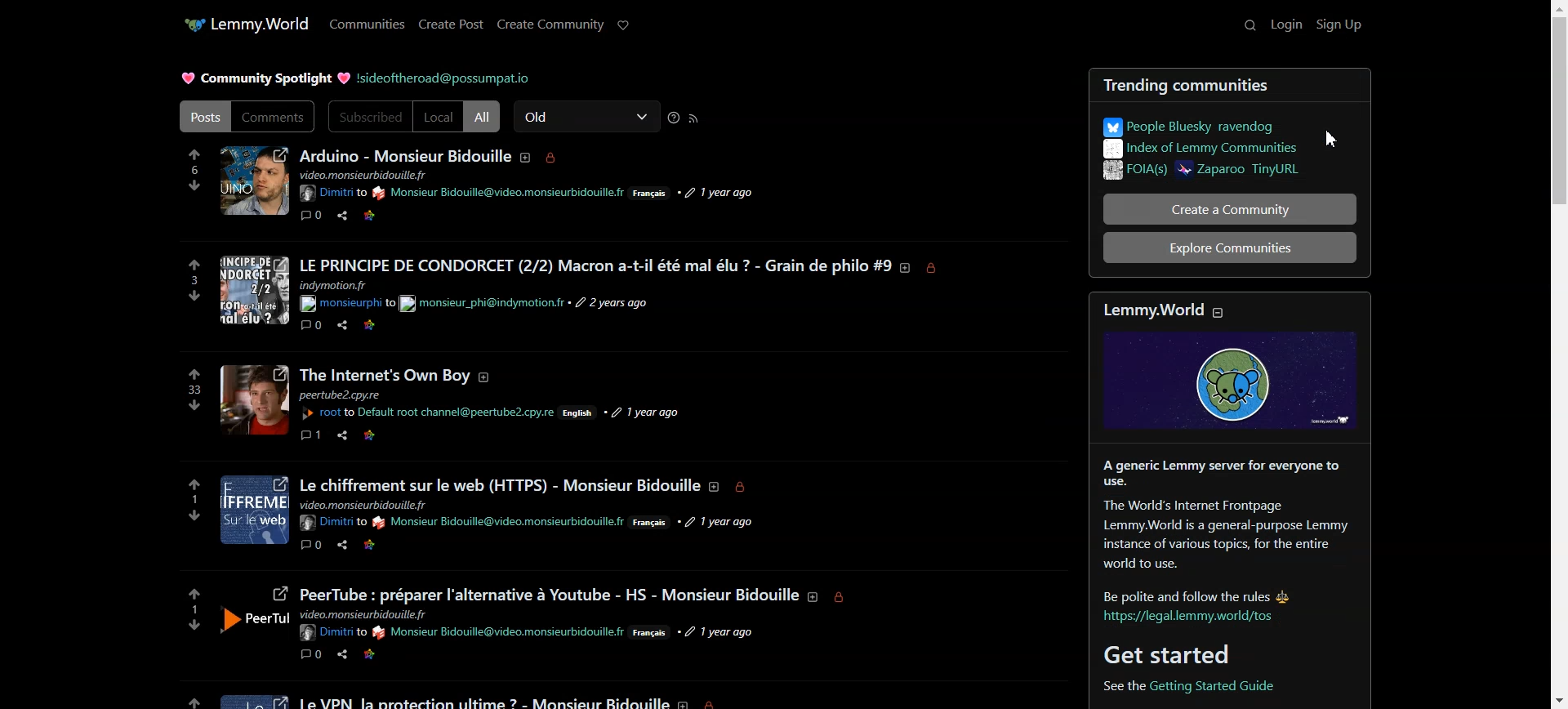 The image size is (1568, 709). What do you see at coordinates (1170, 653) in the screenshot?
I see `Get started` at bounding box center [1170, 653].